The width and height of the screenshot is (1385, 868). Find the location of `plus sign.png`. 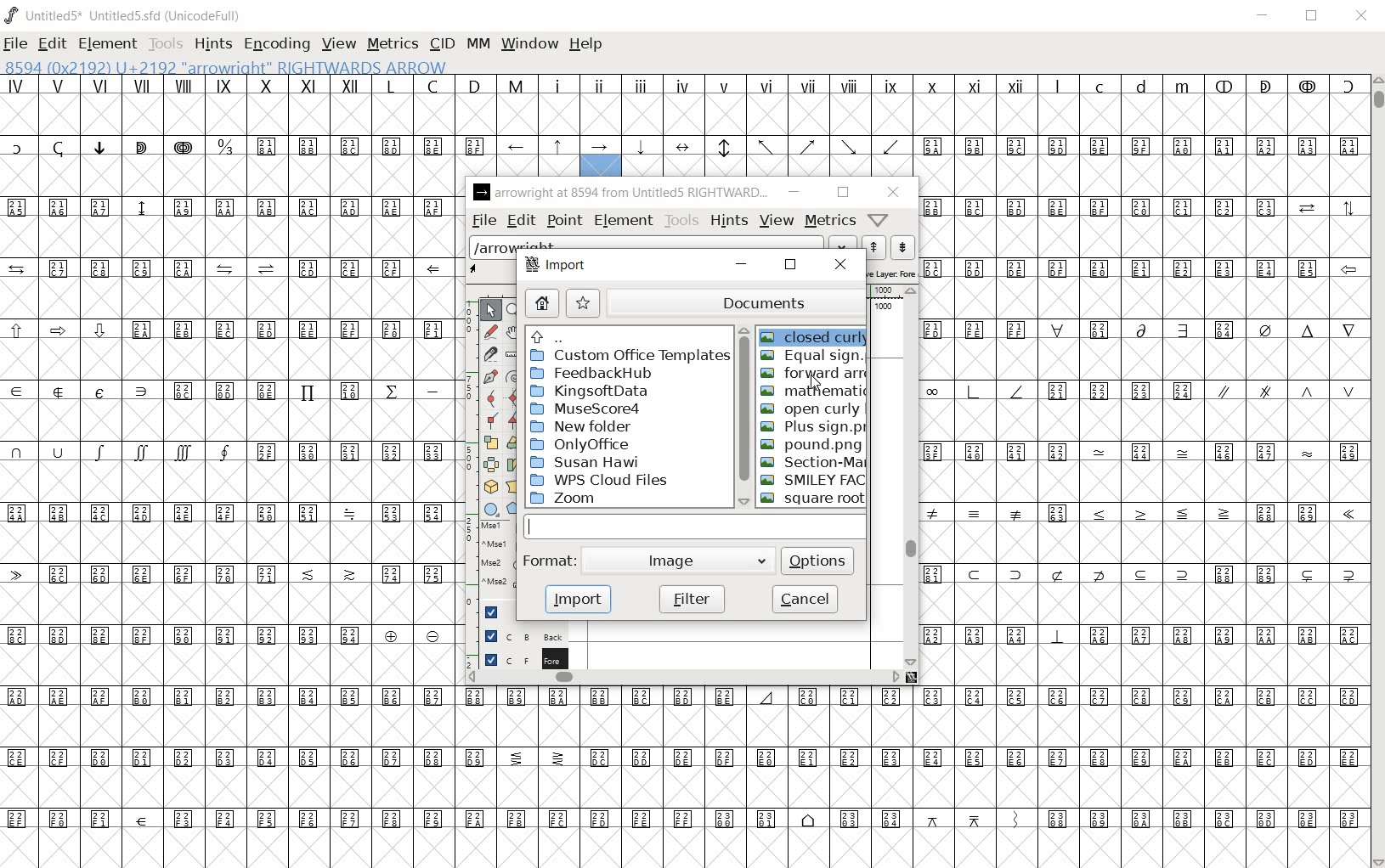

plus sign.png is located at coordinates (813, 428).